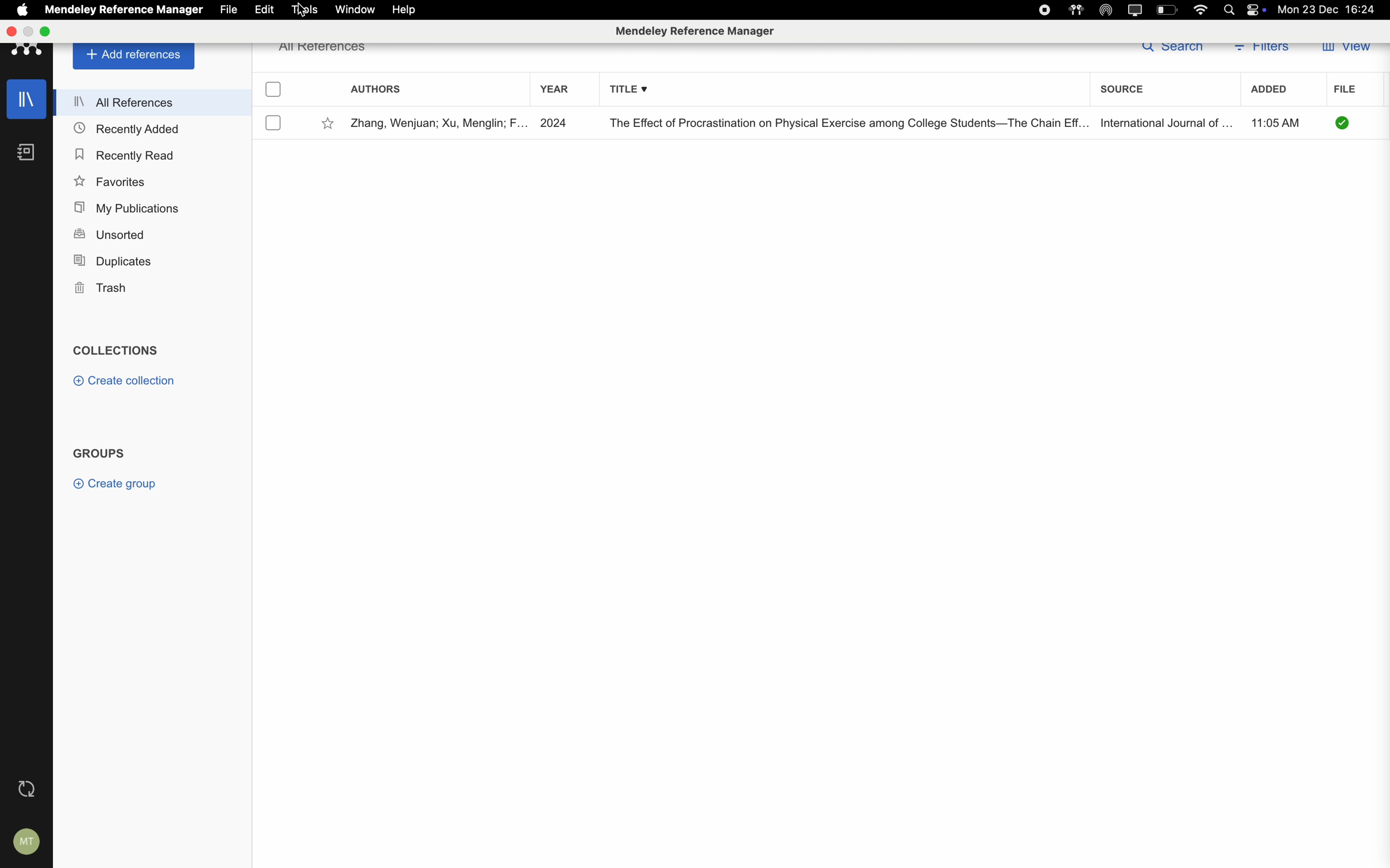  What do you see at coordinates (1271, 88) in the screenshot?
I see `added` at bounding box center [1271, 88].